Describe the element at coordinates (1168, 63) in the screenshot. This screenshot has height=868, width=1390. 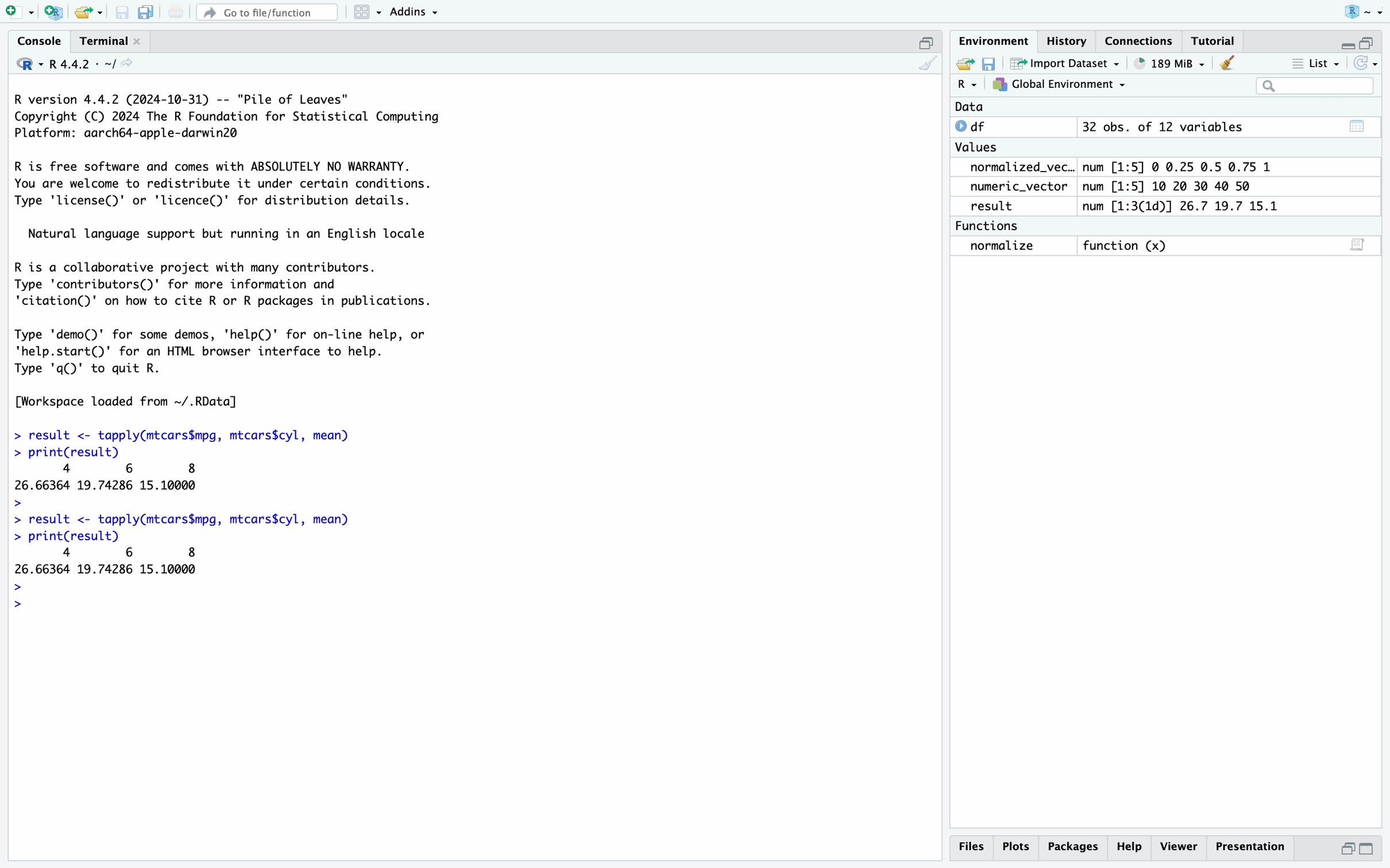
I see `434 MiB` at that location.